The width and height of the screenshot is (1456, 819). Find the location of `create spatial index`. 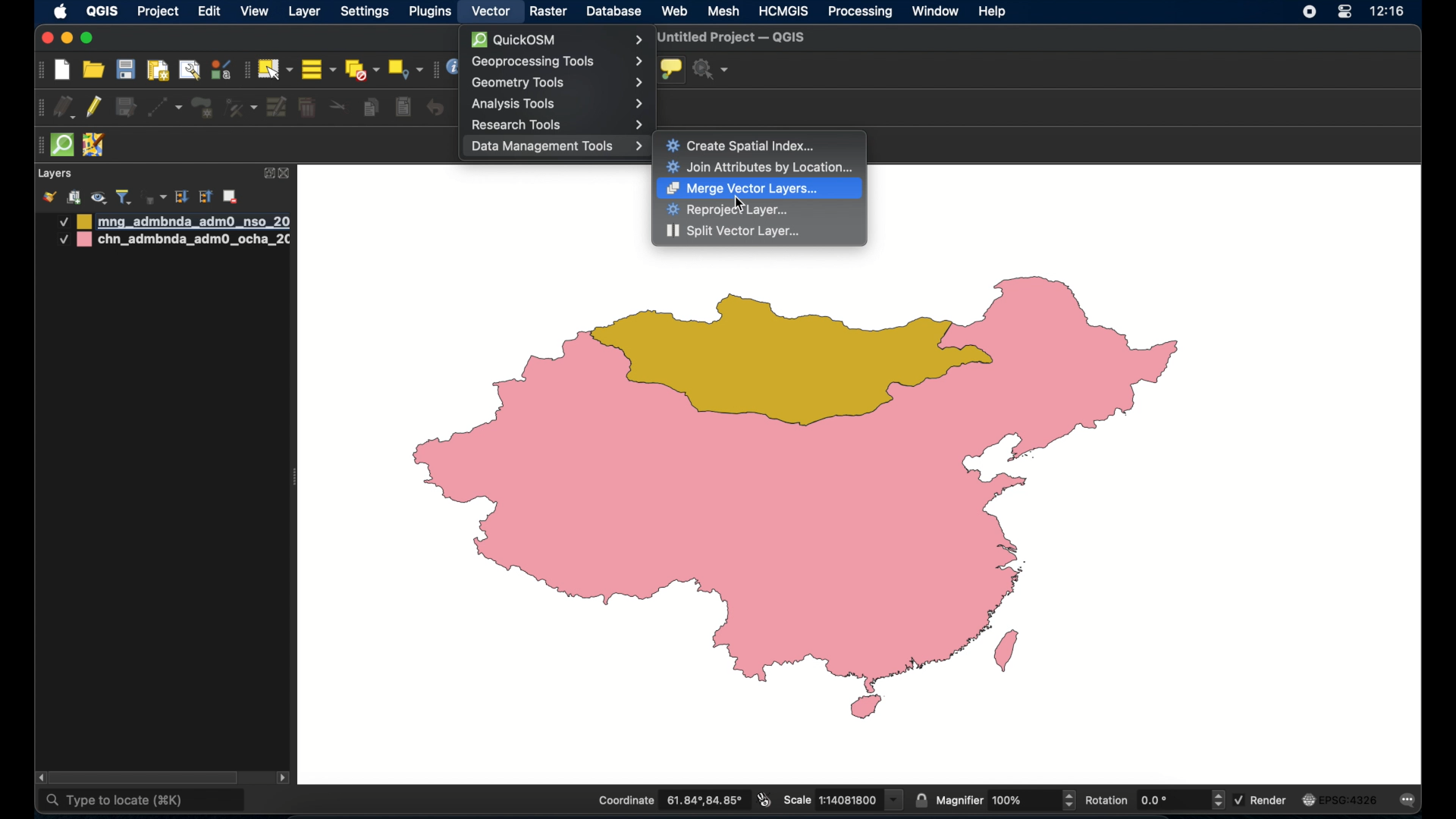

create spatial index is located at coordinates (742, 145).